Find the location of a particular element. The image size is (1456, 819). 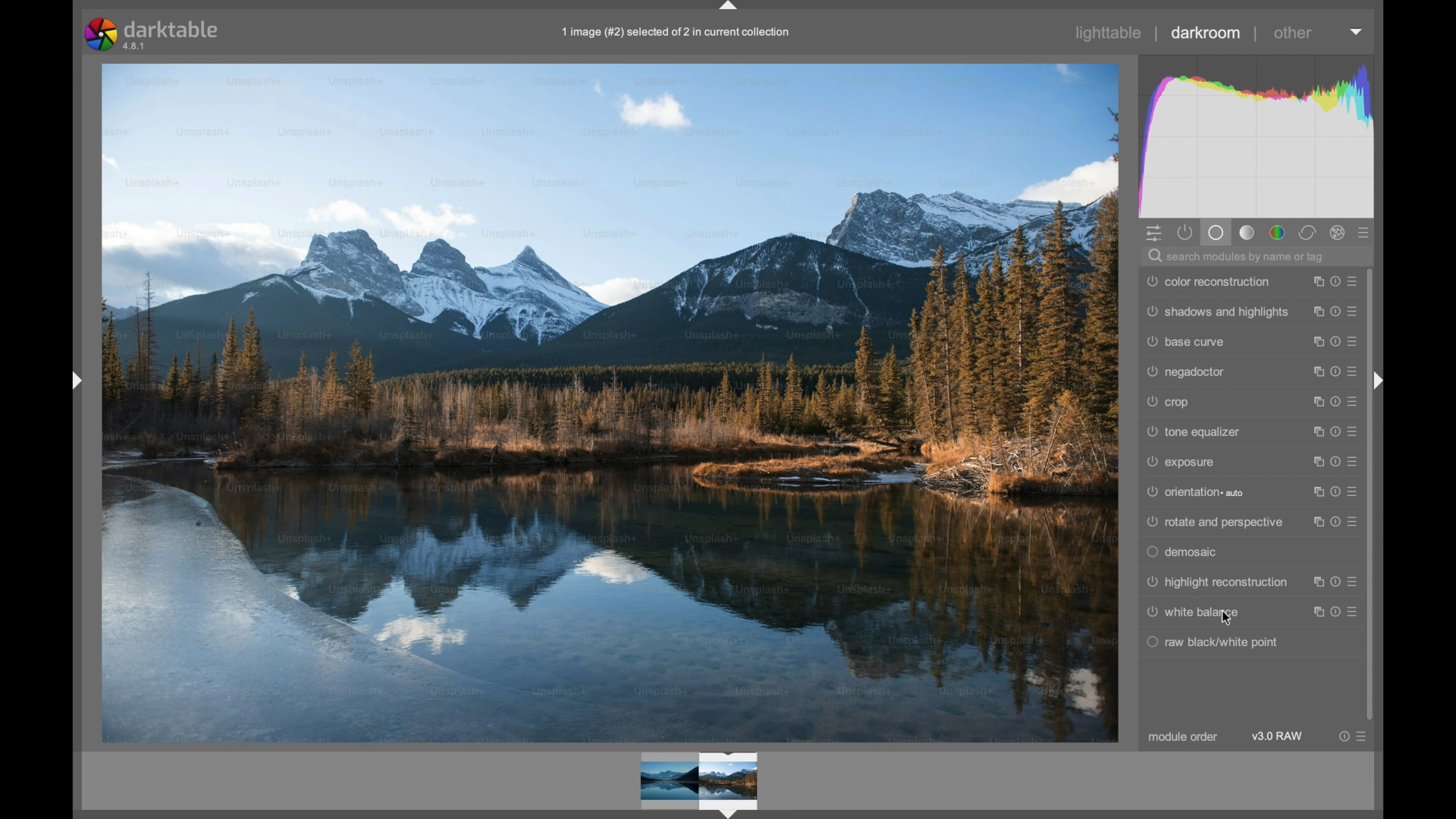

instance is located at coordinates (1316, 282).